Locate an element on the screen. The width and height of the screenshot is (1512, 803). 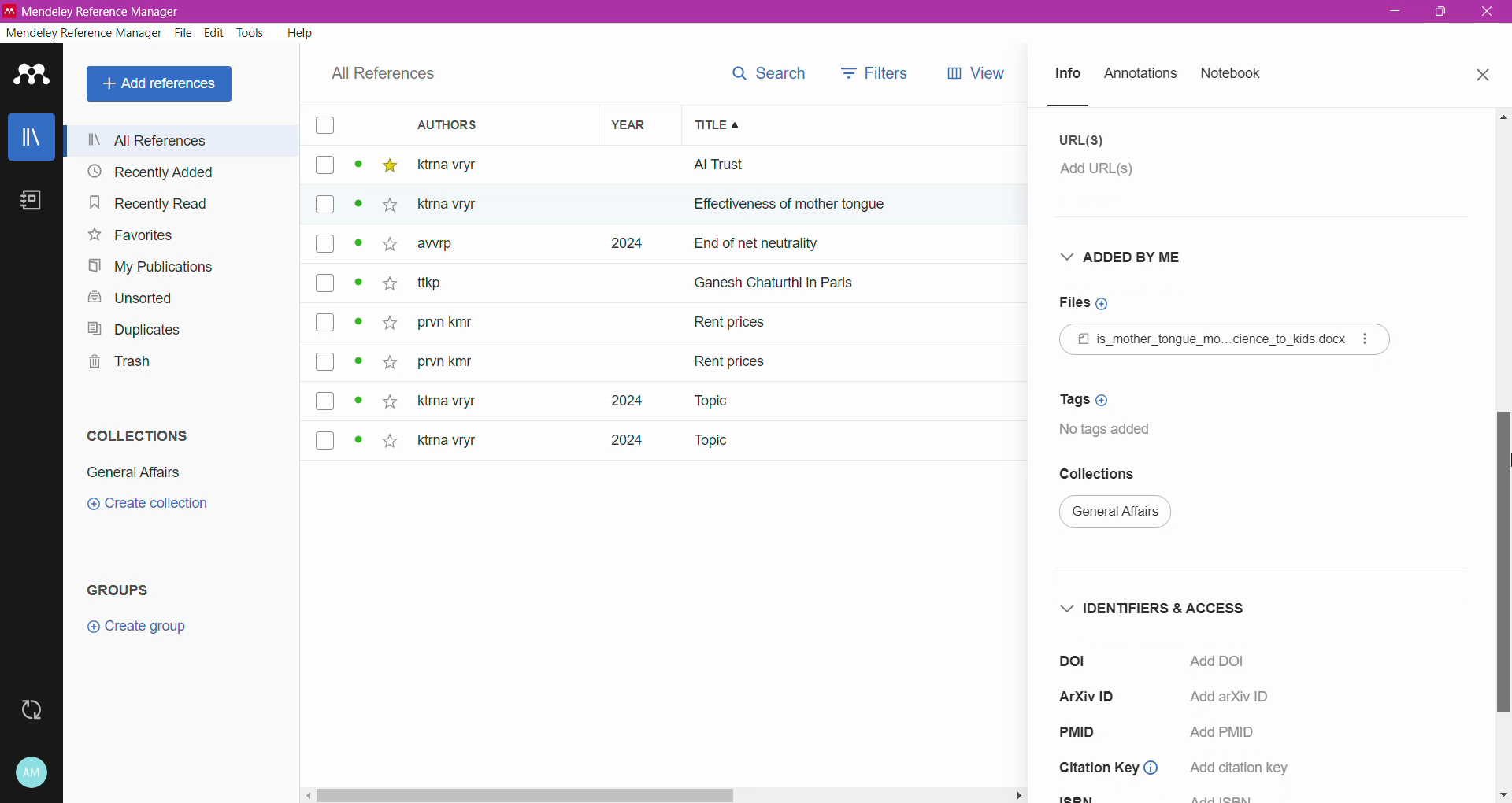
All References is located at coordinates (384, 74).